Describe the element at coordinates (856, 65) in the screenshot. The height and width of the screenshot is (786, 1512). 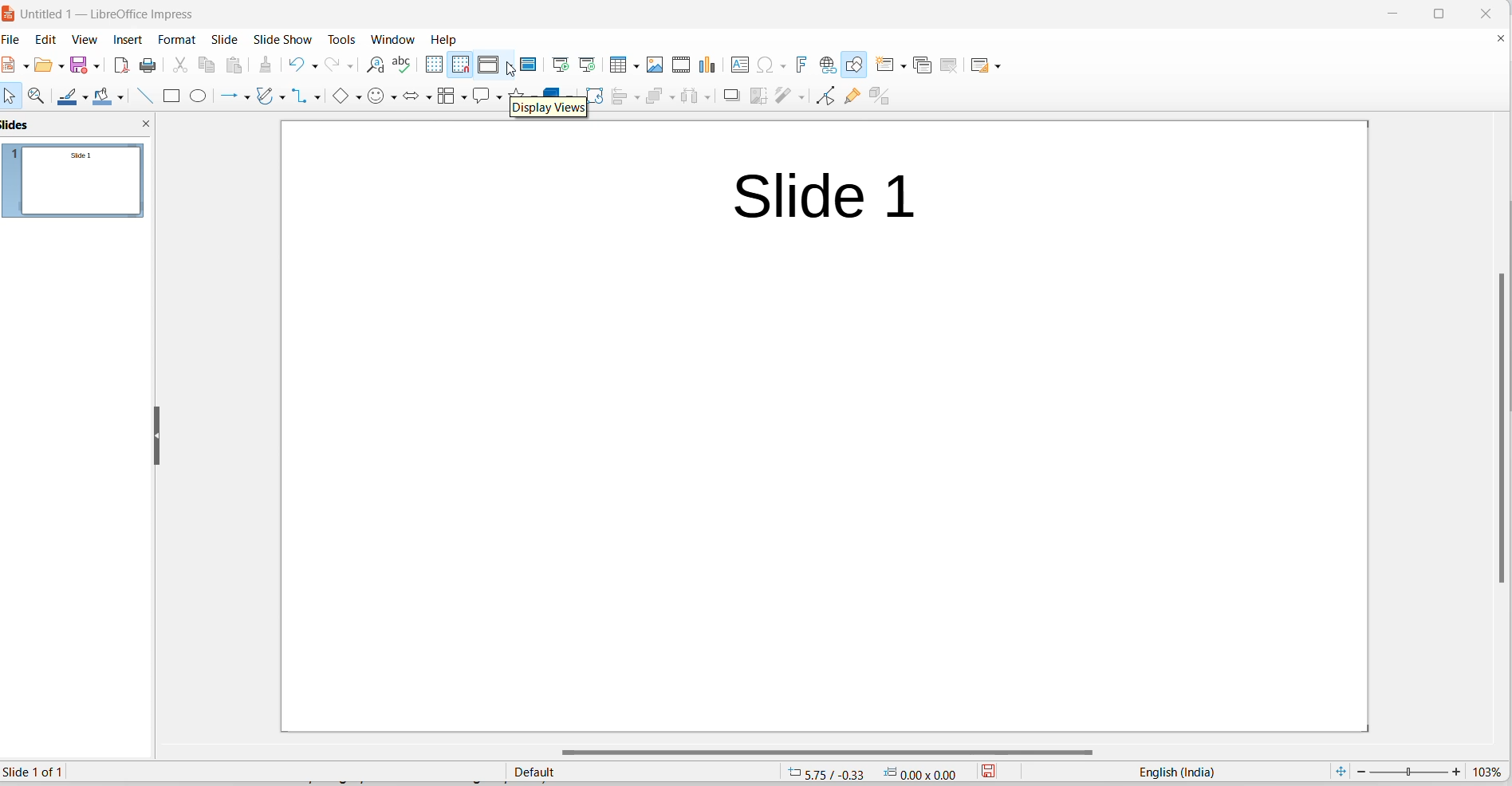
I see `draw shapes tools` at that location.